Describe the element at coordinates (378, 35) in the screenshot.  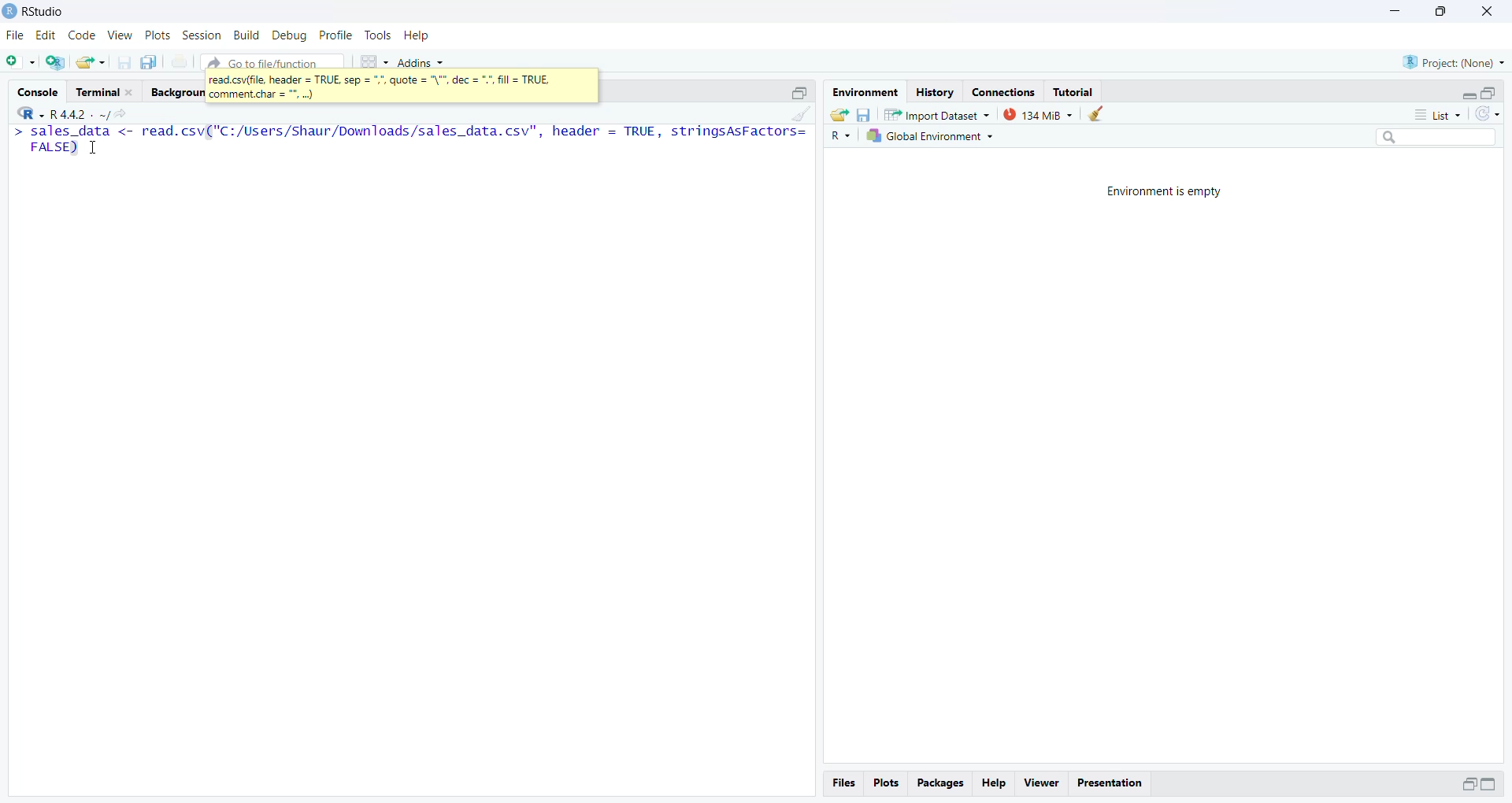
I see `Tools` at that location.